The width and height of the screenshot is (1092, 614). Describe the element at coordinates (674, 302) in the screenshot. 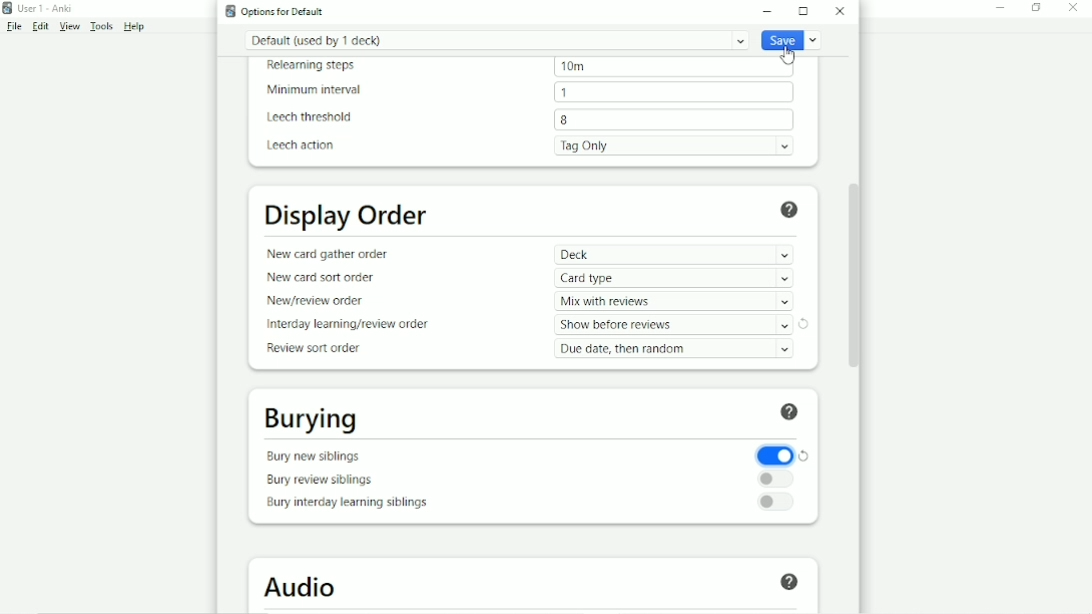

I see `Mix with reviews` at that location.